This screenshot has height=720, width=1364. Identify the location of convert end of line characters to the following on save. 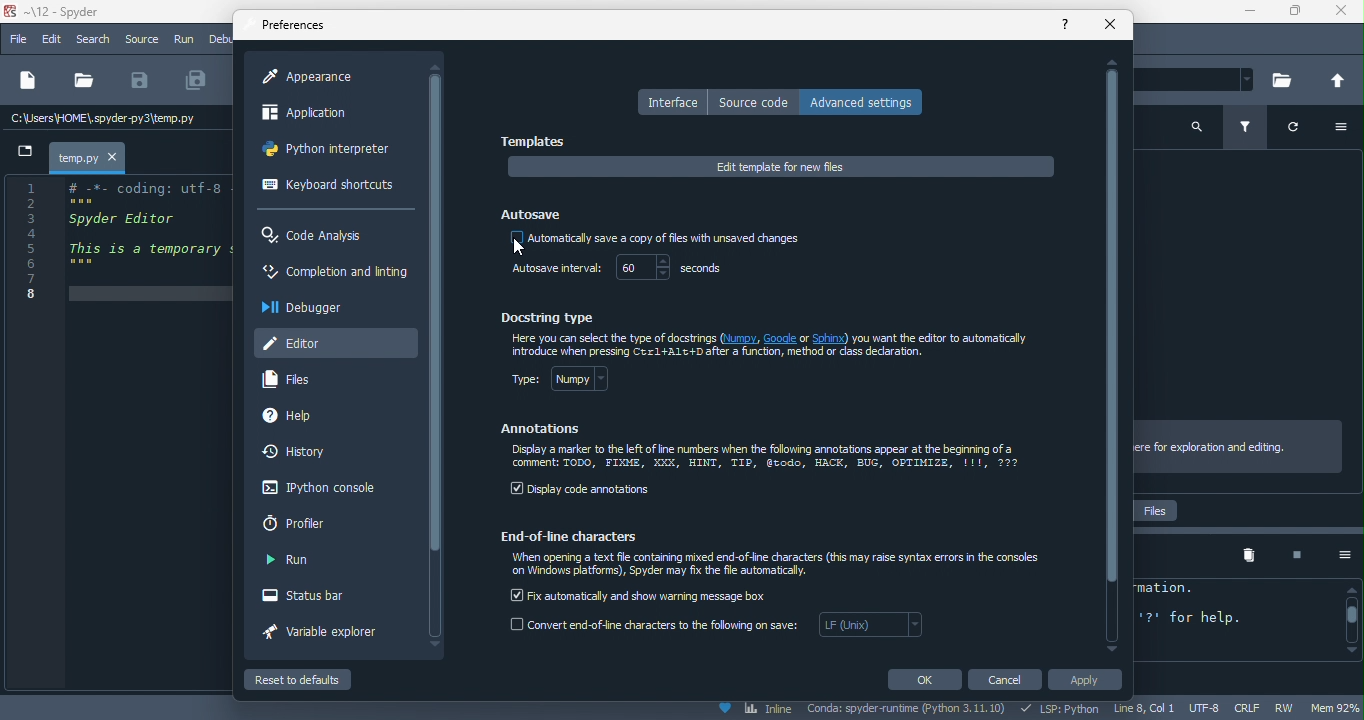
(719, 629).